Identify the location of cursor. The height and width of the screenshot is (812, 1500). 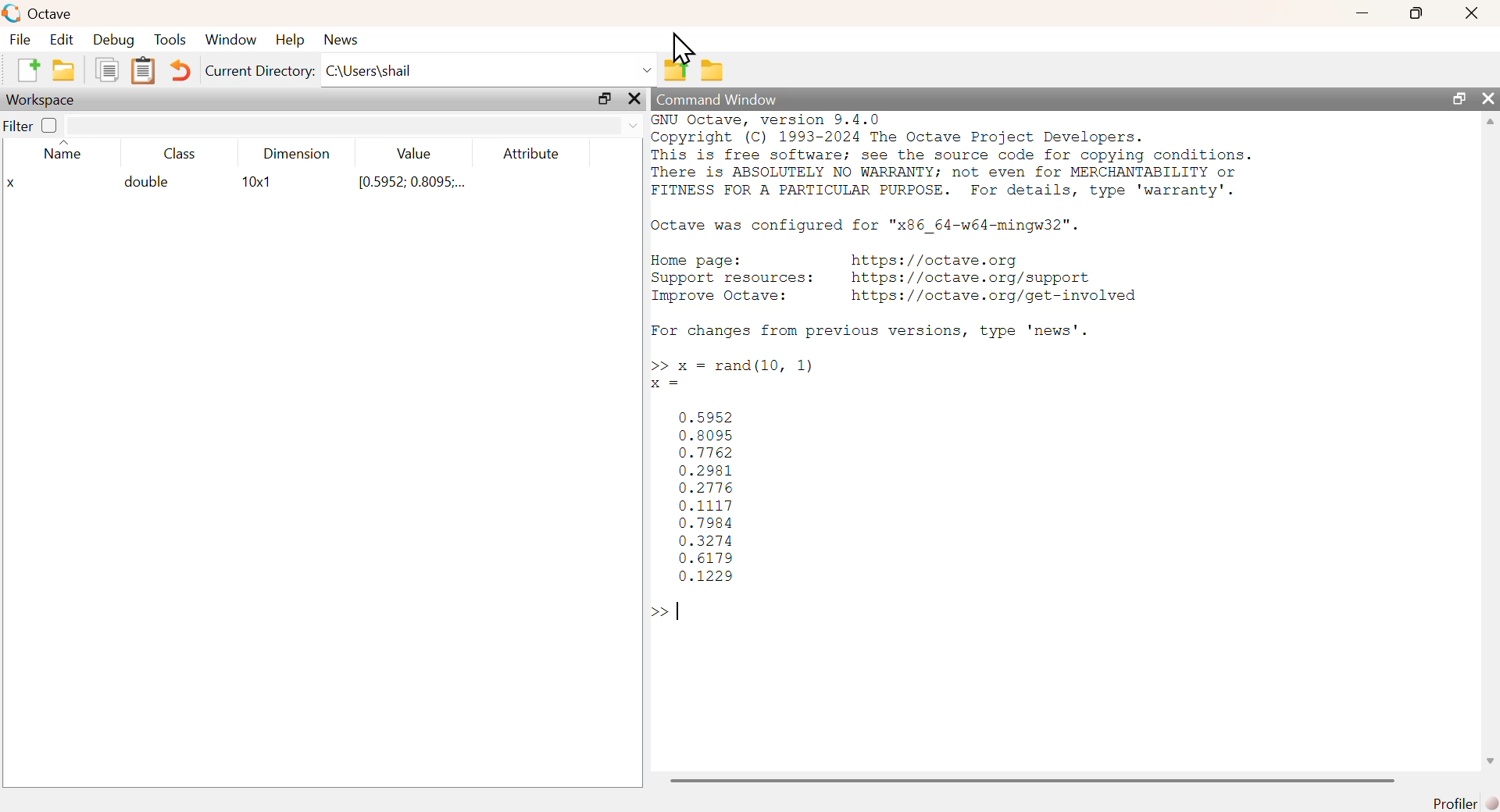
(684, 46).